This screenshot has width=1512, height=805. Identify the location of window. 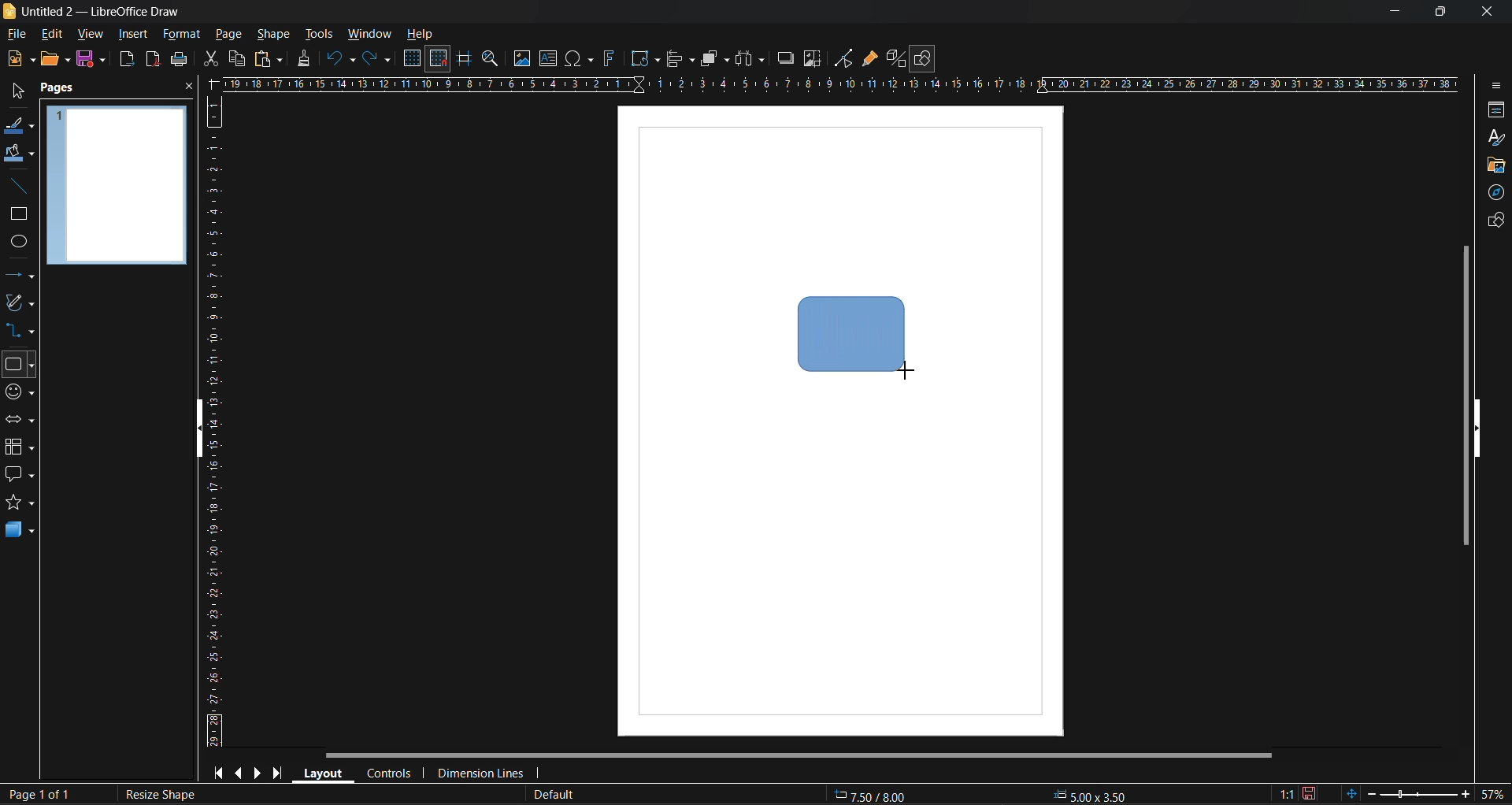
(368, 35).